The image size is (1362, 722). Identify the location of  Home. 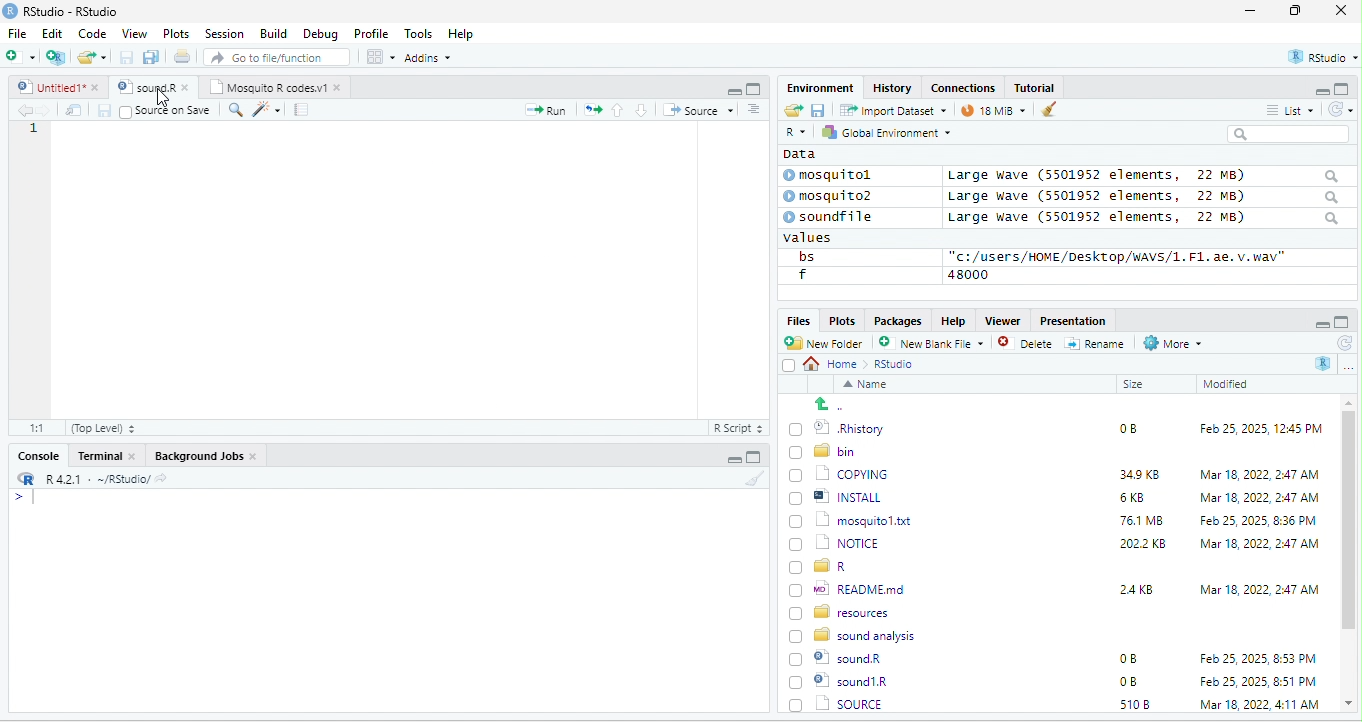
(836, 363).